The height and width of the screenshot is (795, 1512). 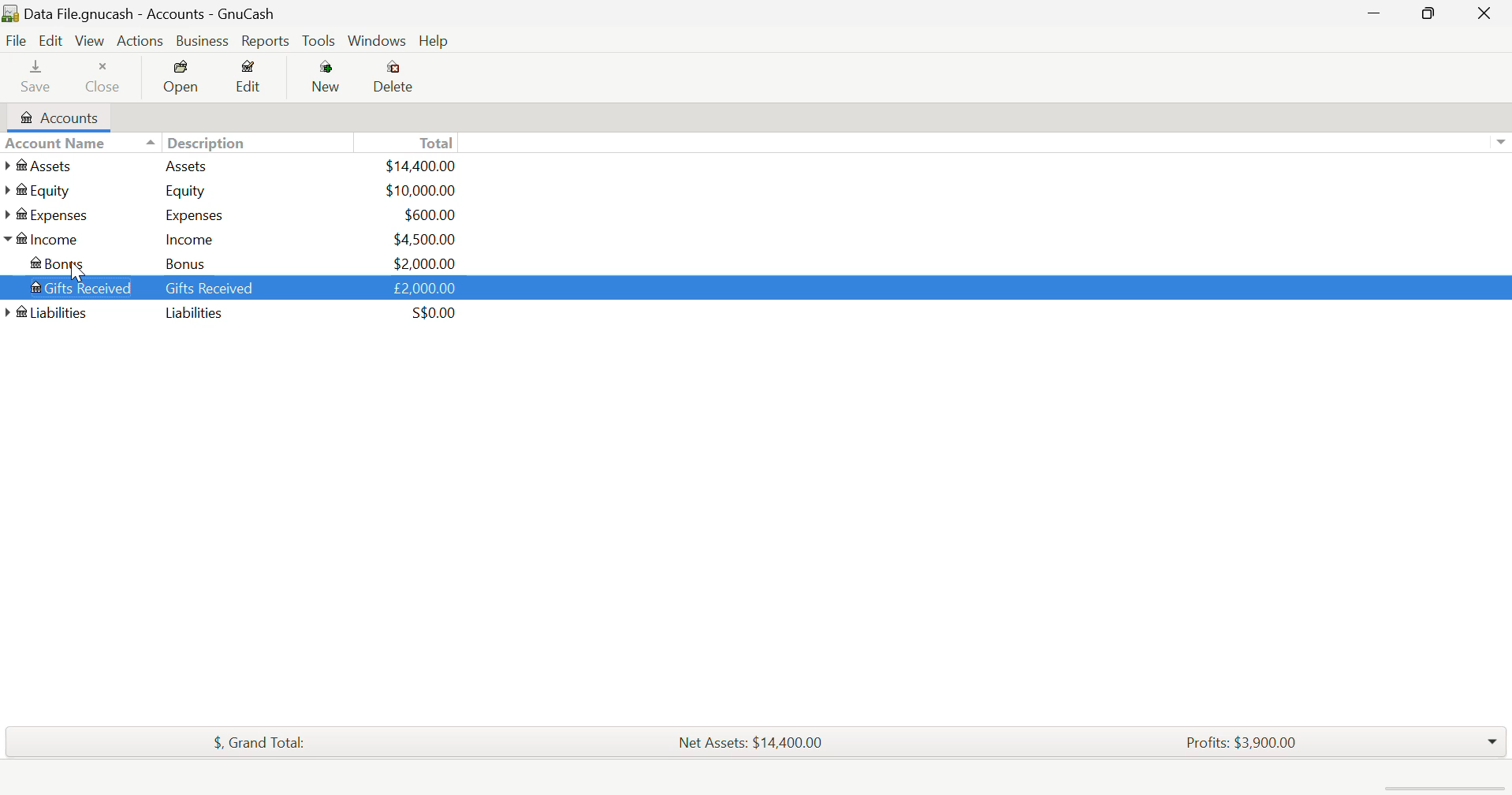 I want to click on Edit, so click(x=54, y=41).